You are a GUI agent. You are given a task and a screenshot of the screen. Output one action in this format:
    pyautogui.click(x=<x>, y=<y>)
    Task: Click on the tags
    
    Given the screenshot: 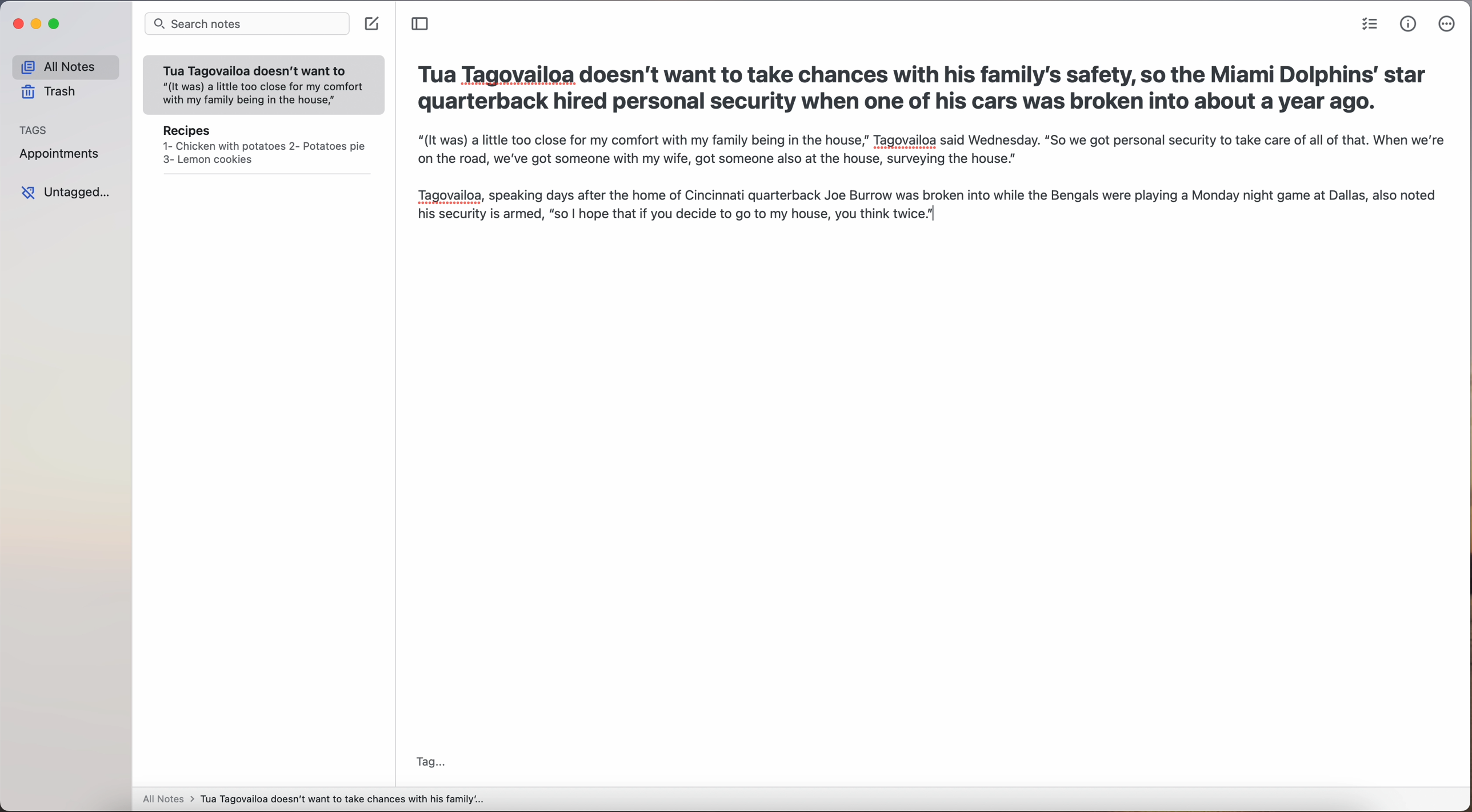 What is the action you would take?
    pyautogui.click(x=38, y=130)
    